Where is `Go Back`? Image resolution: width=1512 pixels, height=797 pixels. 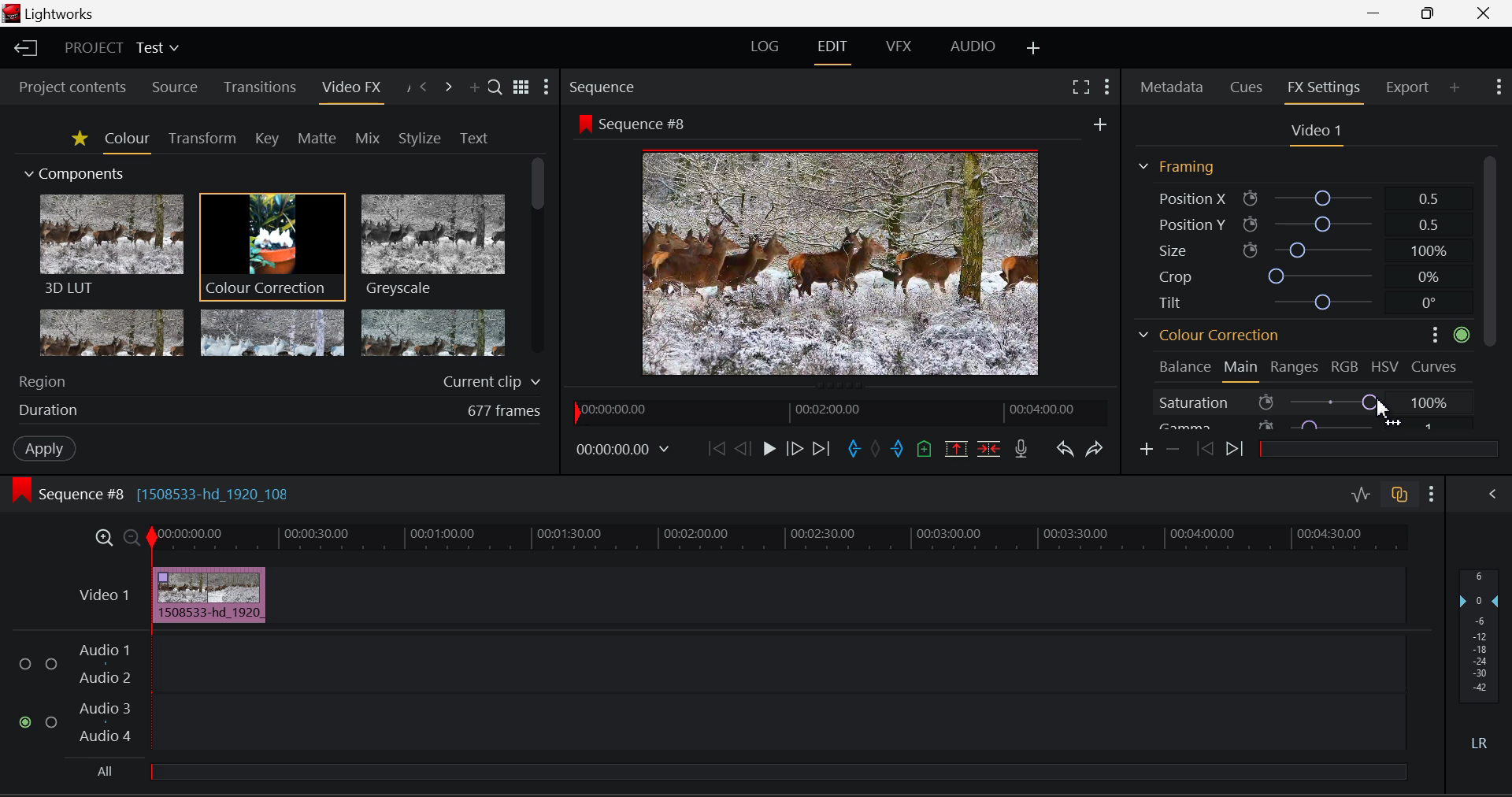
Go Back is located at coordinates (742, 449).